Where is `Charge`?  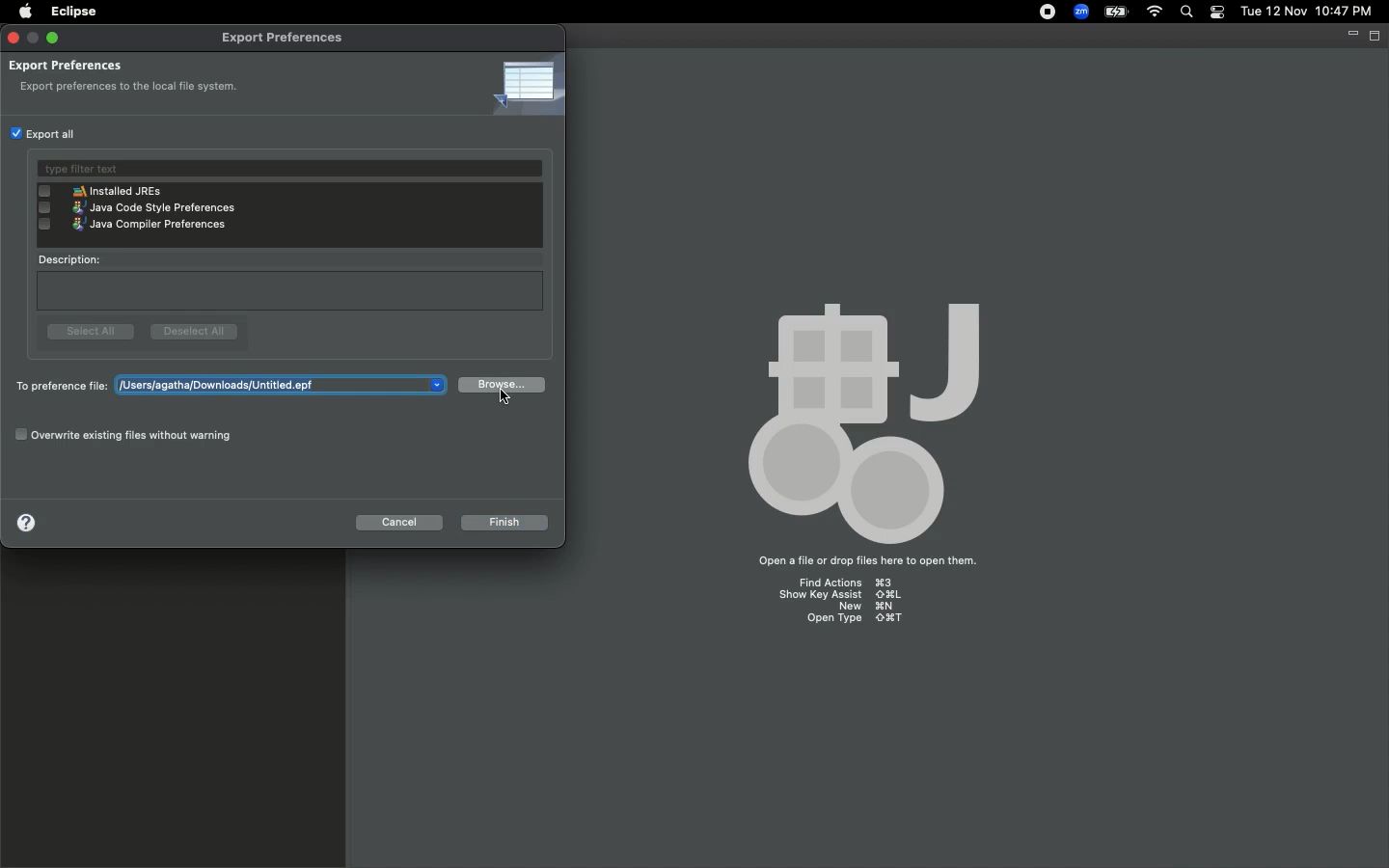 Charge is located at coordinates (1119, 11).